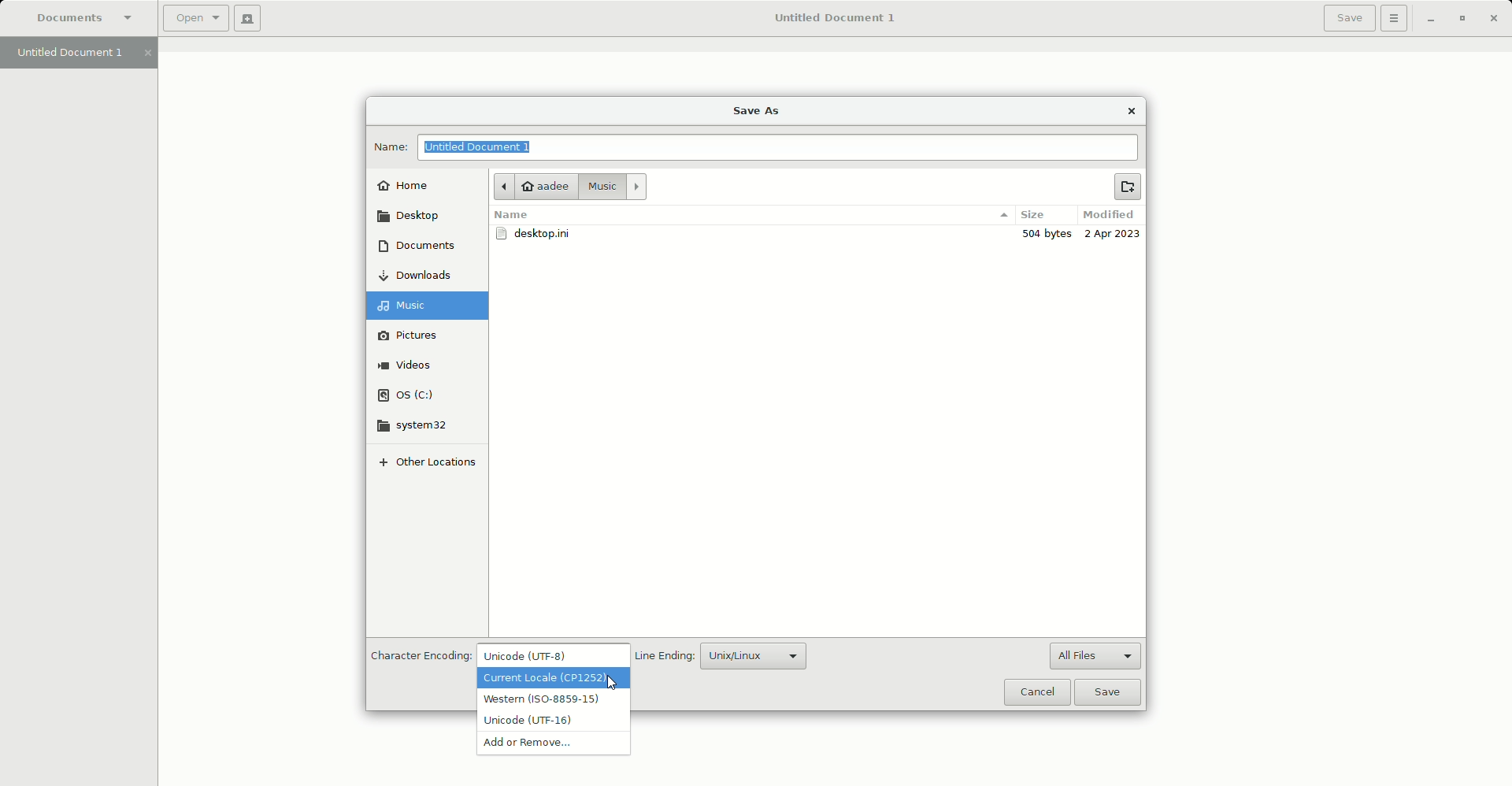  Describe the element at coordinates (1108, 214) in the screenshot. I see `Modified` at that location.